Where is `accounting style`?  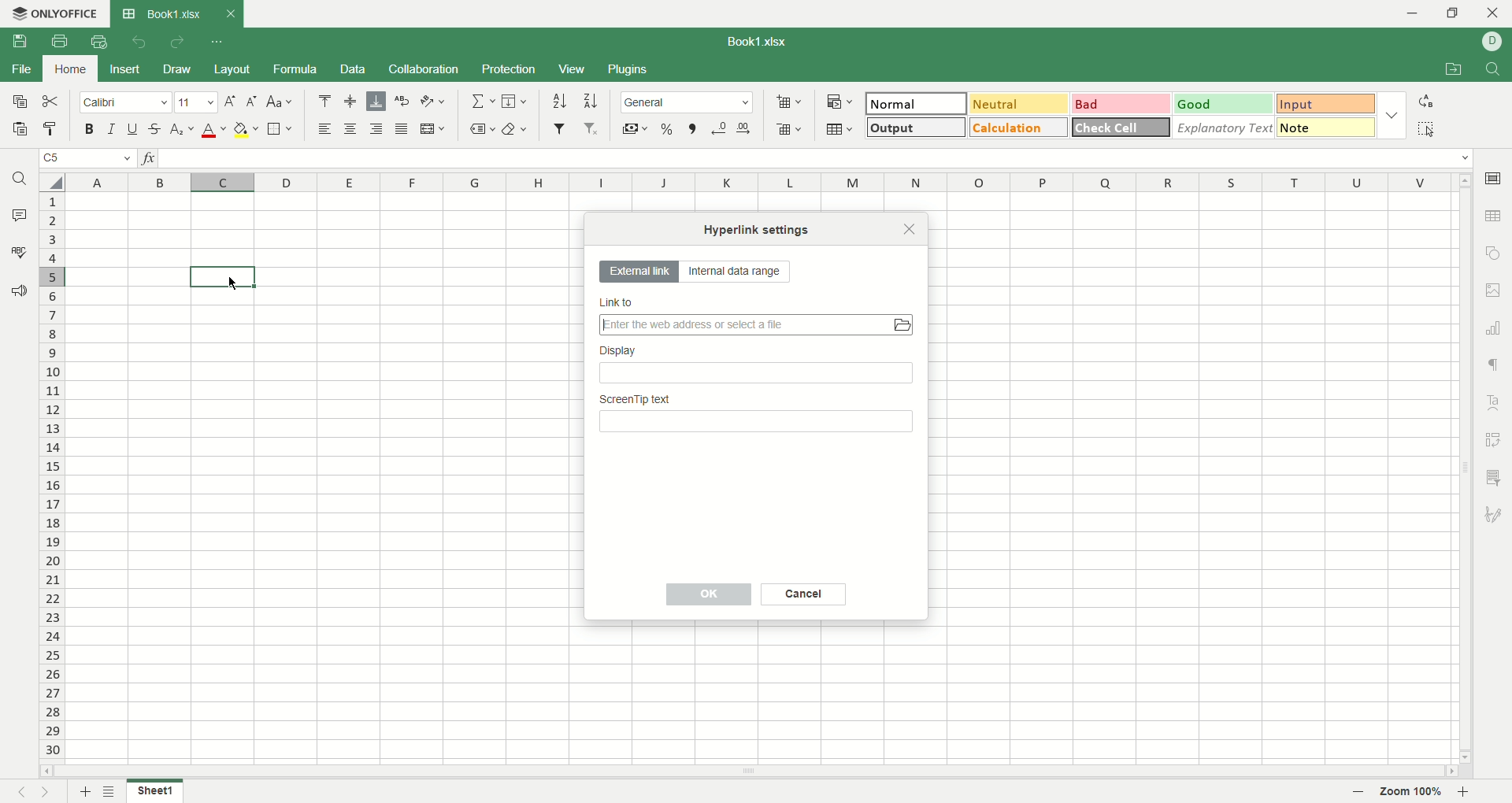 accounting style is located at coordinates (635, 128).